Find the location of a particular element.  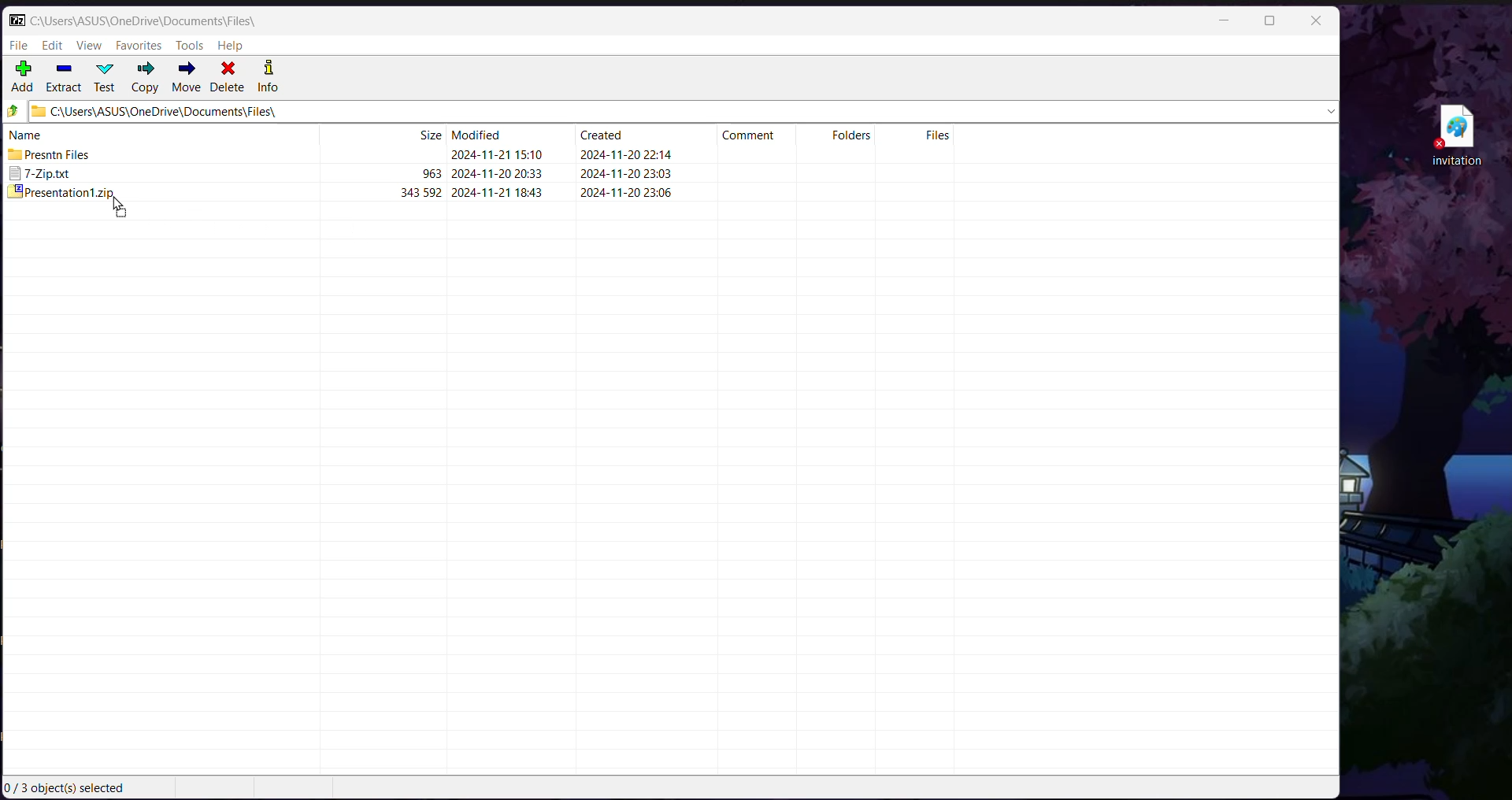

View is located at coordinates (91, 45).